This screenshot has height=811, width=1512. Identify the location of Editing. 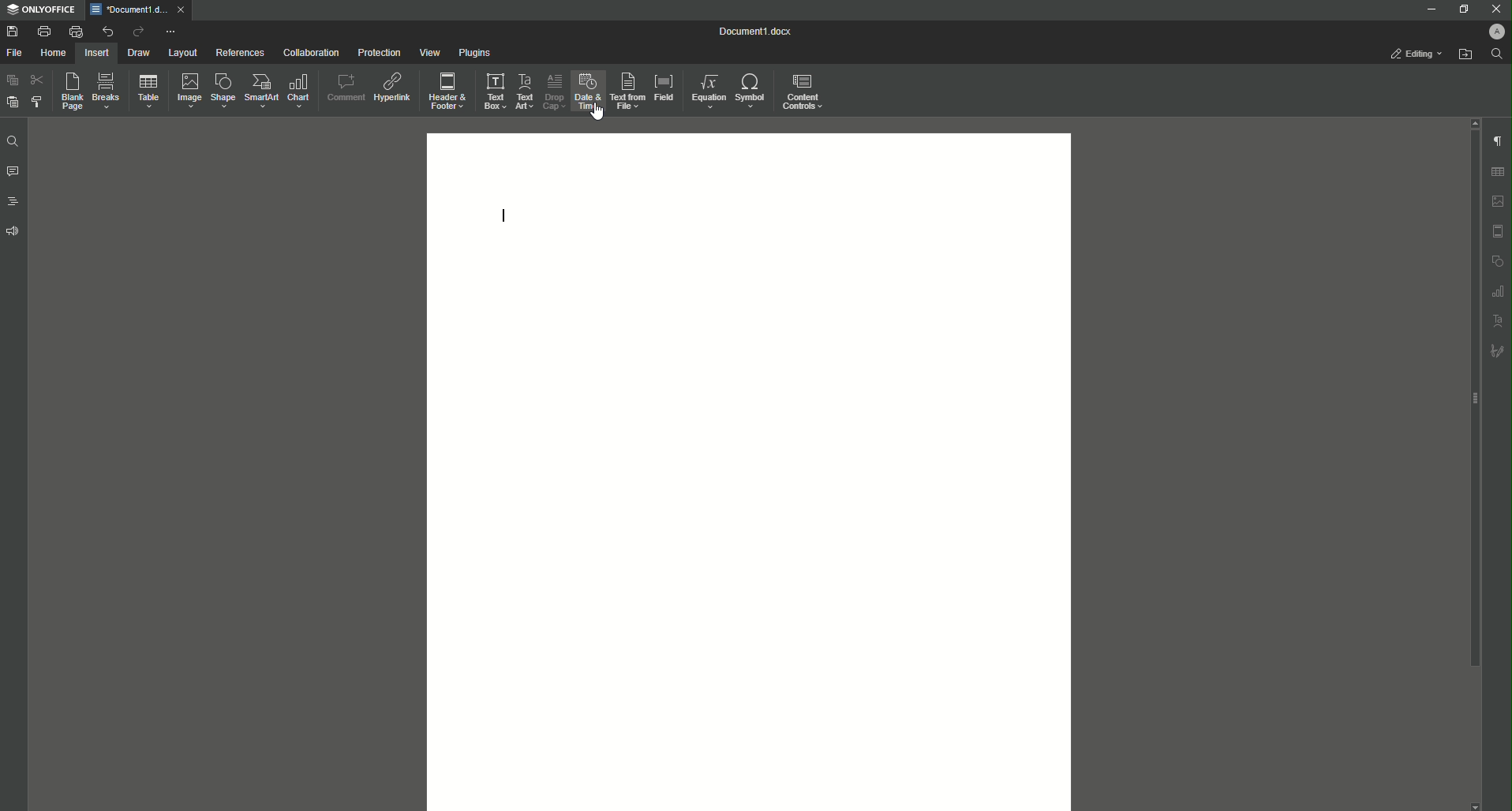
(1417, 54).